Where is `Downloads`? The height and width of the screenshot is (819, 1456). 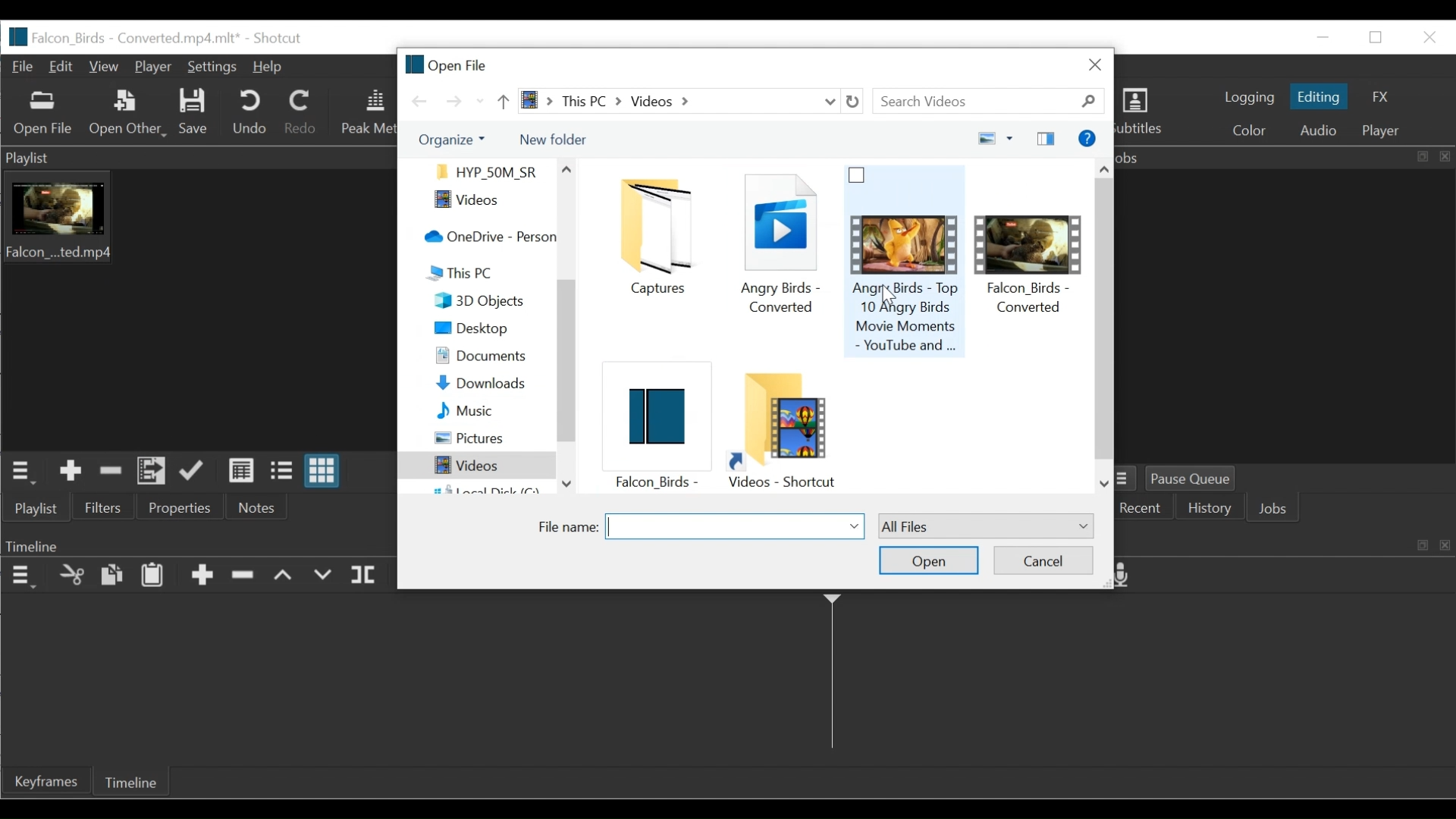 Downloads is located at coordinates (482, 384).